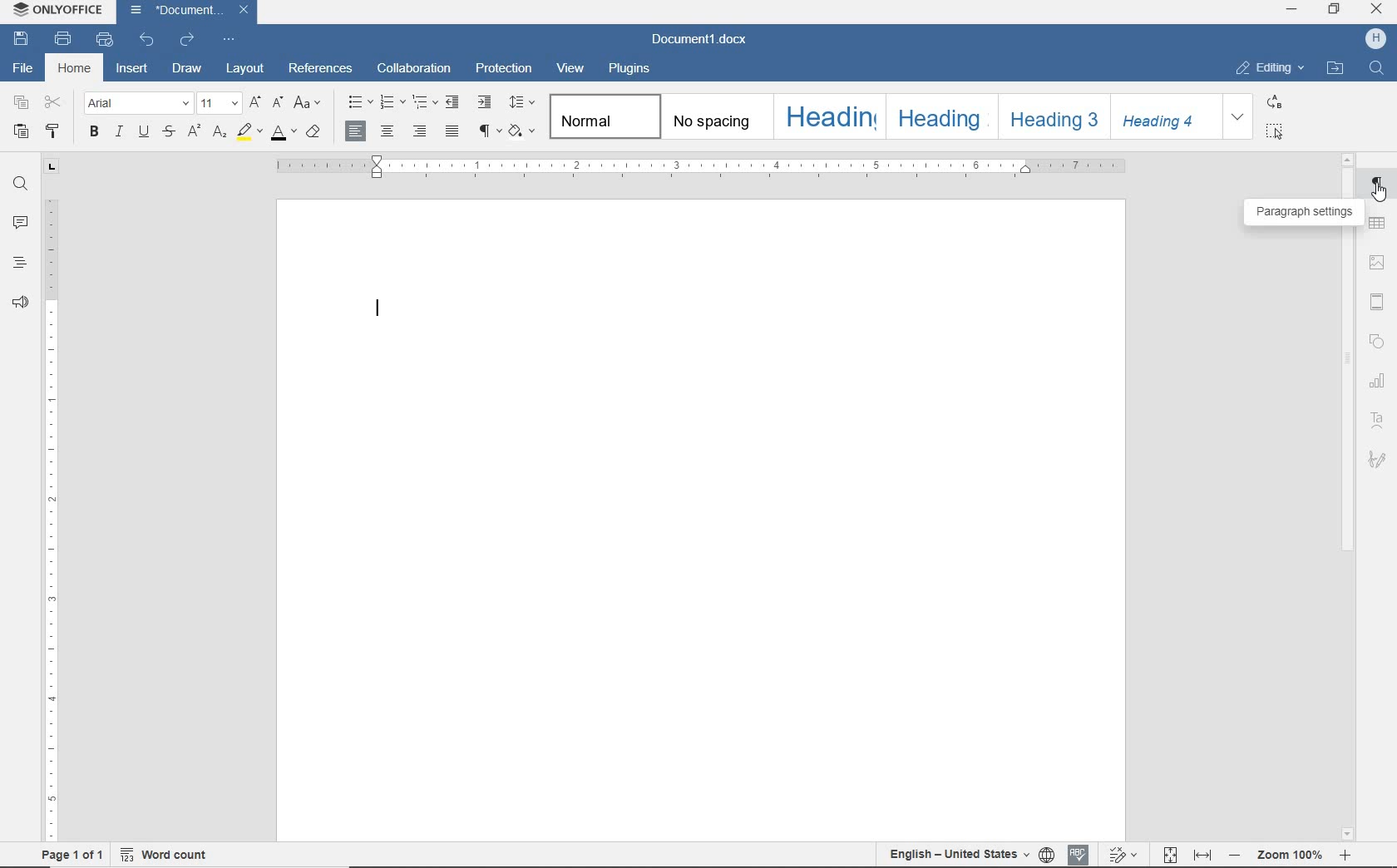  I want to click on RESTORE, so click(1335, 11).